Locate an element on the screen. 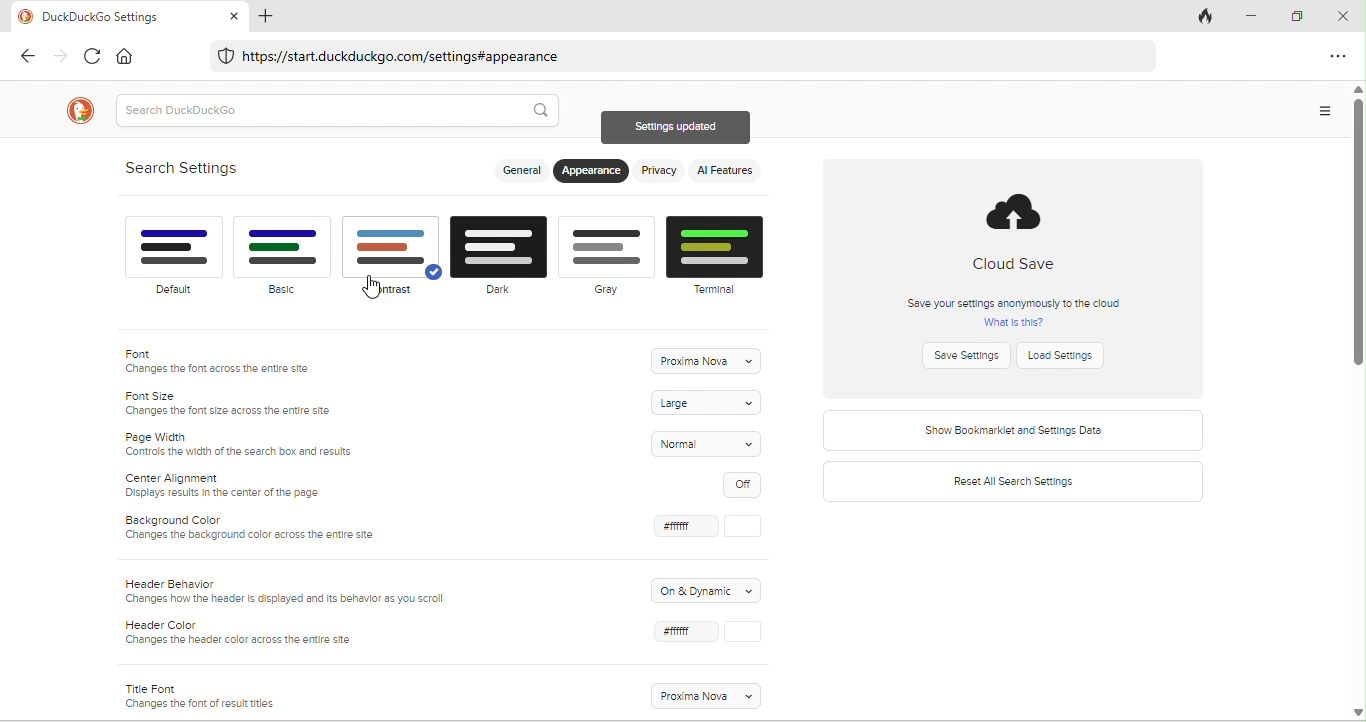 Image resolution: width=1366 pixels, height=722 pixels. save your settings anonymously to the cloud is located at coordinates (1014, 310).